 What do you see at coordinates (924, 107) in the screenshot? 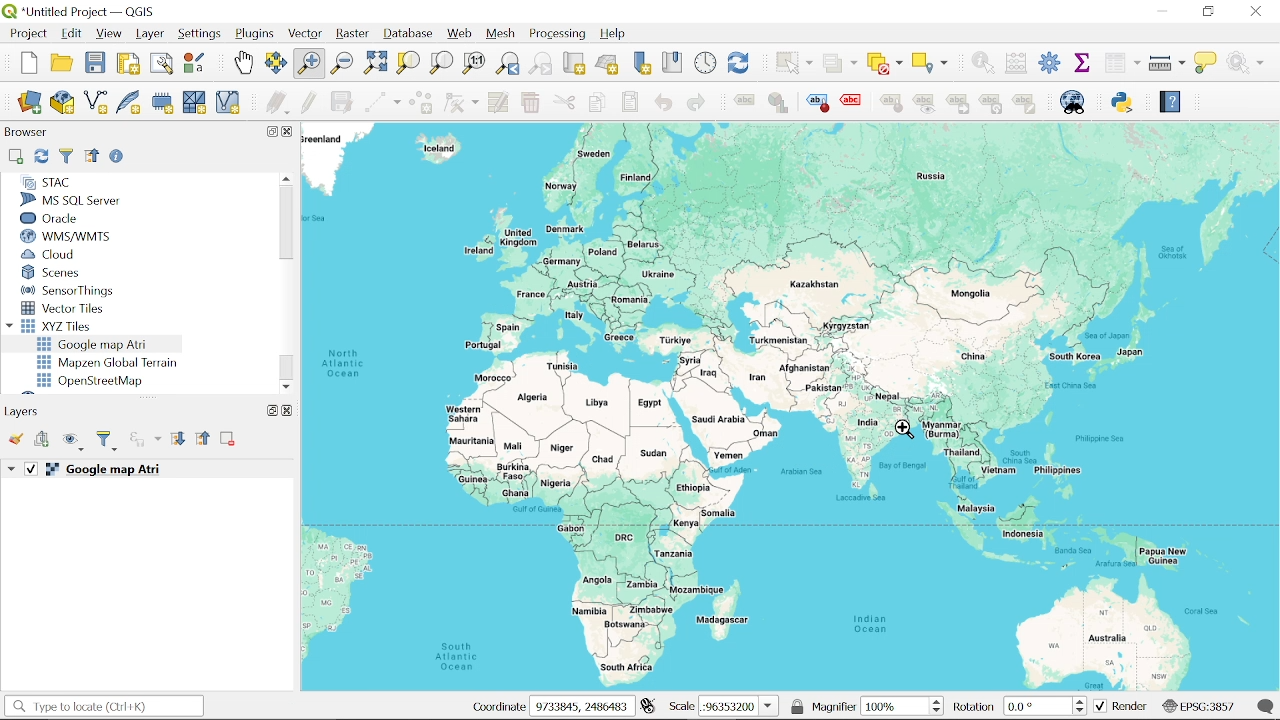
I see `Show/hide label and diagrams` at bounding box center [924, 107].